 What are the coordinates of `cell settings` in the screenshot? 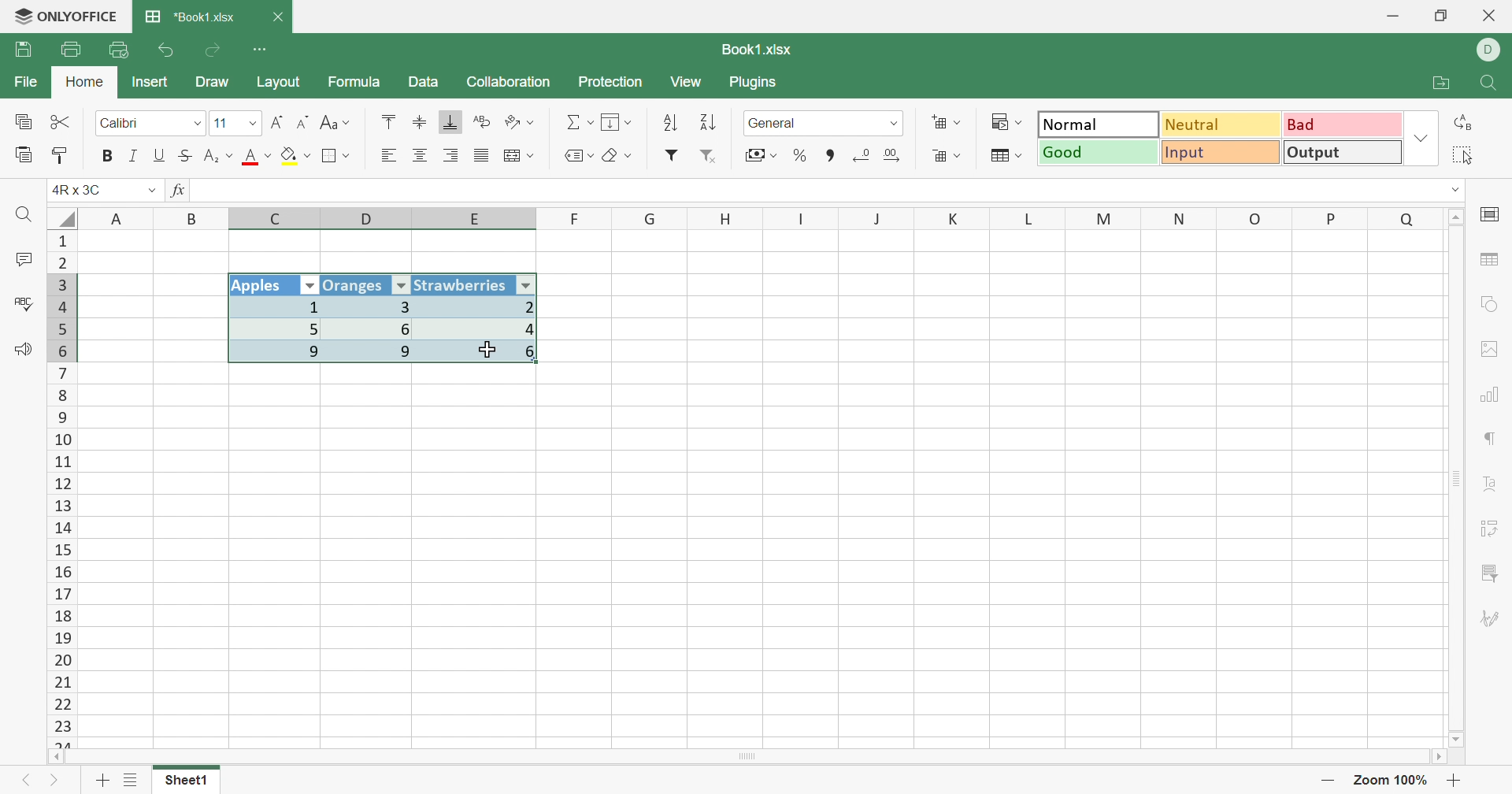 It's located at (1493, 216).